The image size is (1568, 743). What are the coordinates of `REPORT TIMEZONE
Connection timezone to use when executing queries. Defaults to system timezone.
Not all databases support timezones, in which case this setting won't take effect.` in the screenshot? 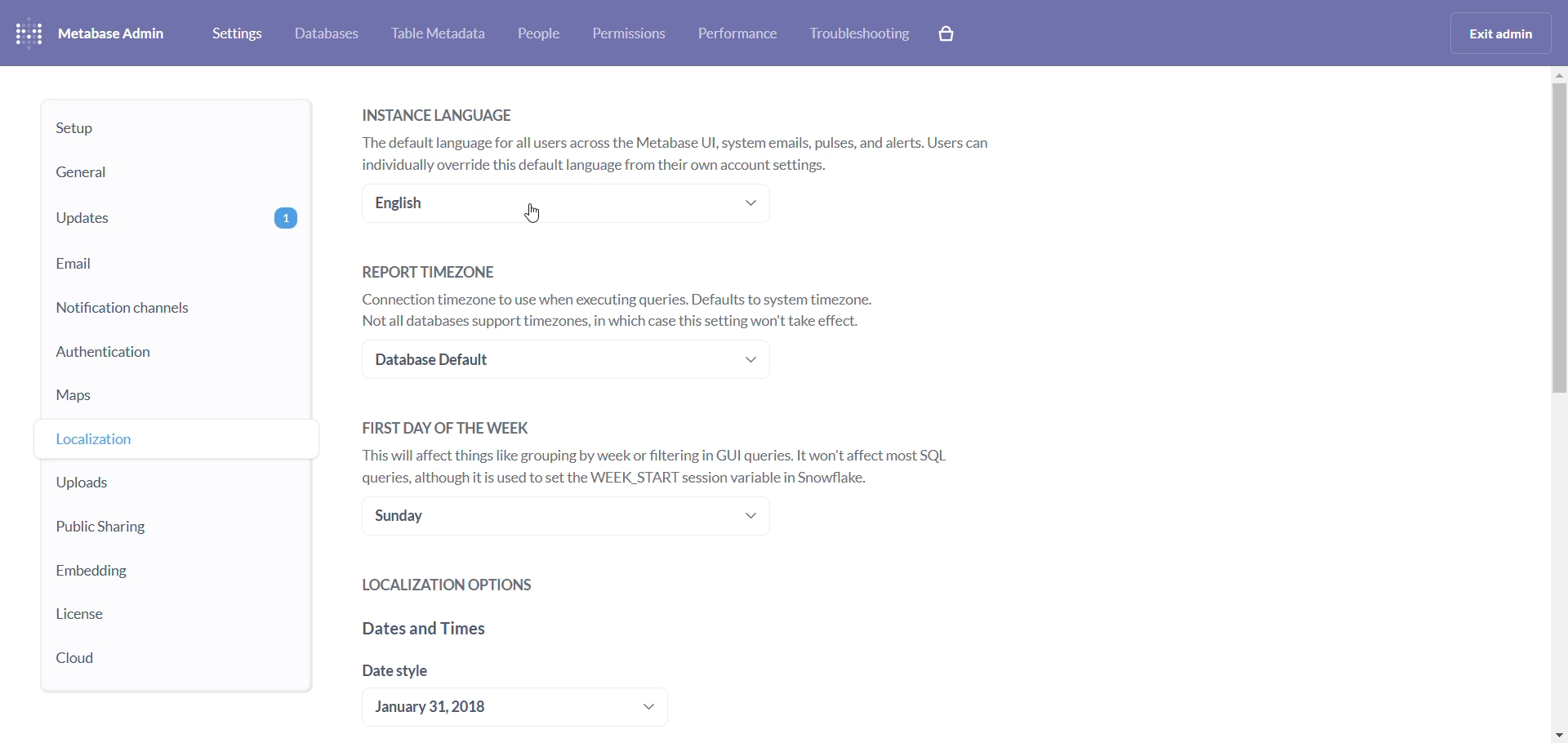 It's located at (611, 296).